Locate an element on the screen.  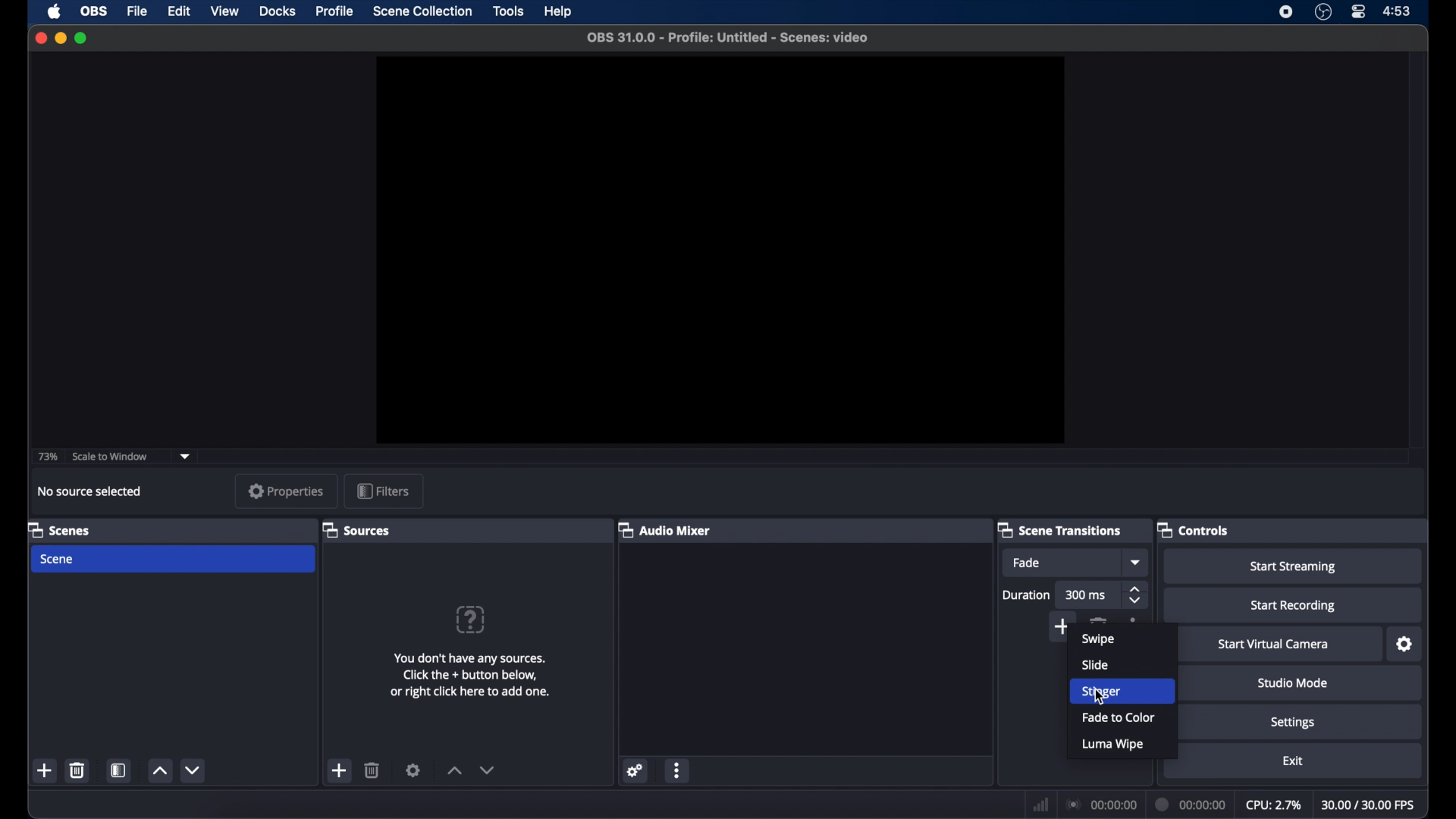
apple icon is located at coordinates (55, 12).